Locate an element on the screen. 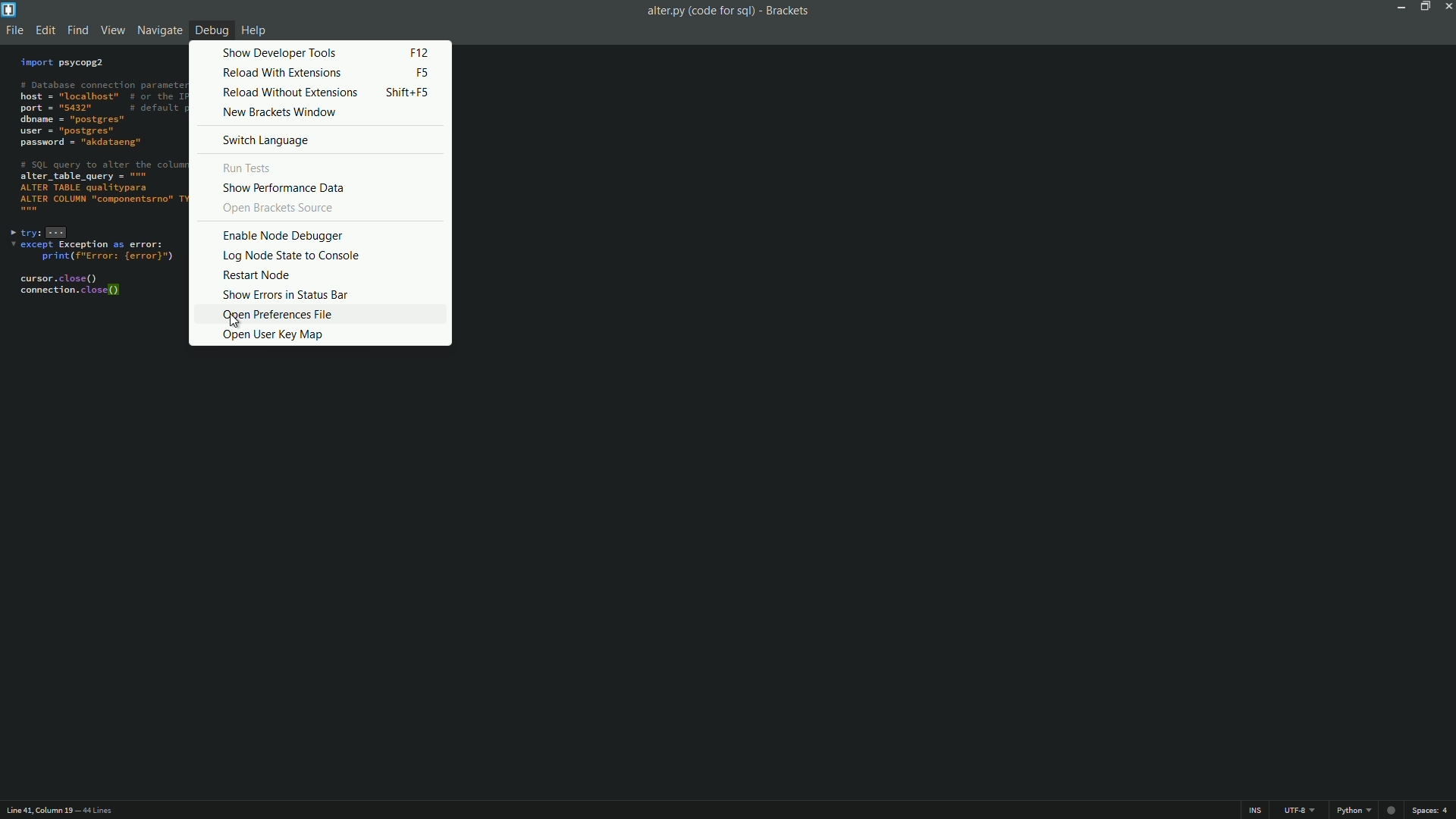 The width and height of the screenshot is (1456, 819). File menu is located at coordinates (14, 32).